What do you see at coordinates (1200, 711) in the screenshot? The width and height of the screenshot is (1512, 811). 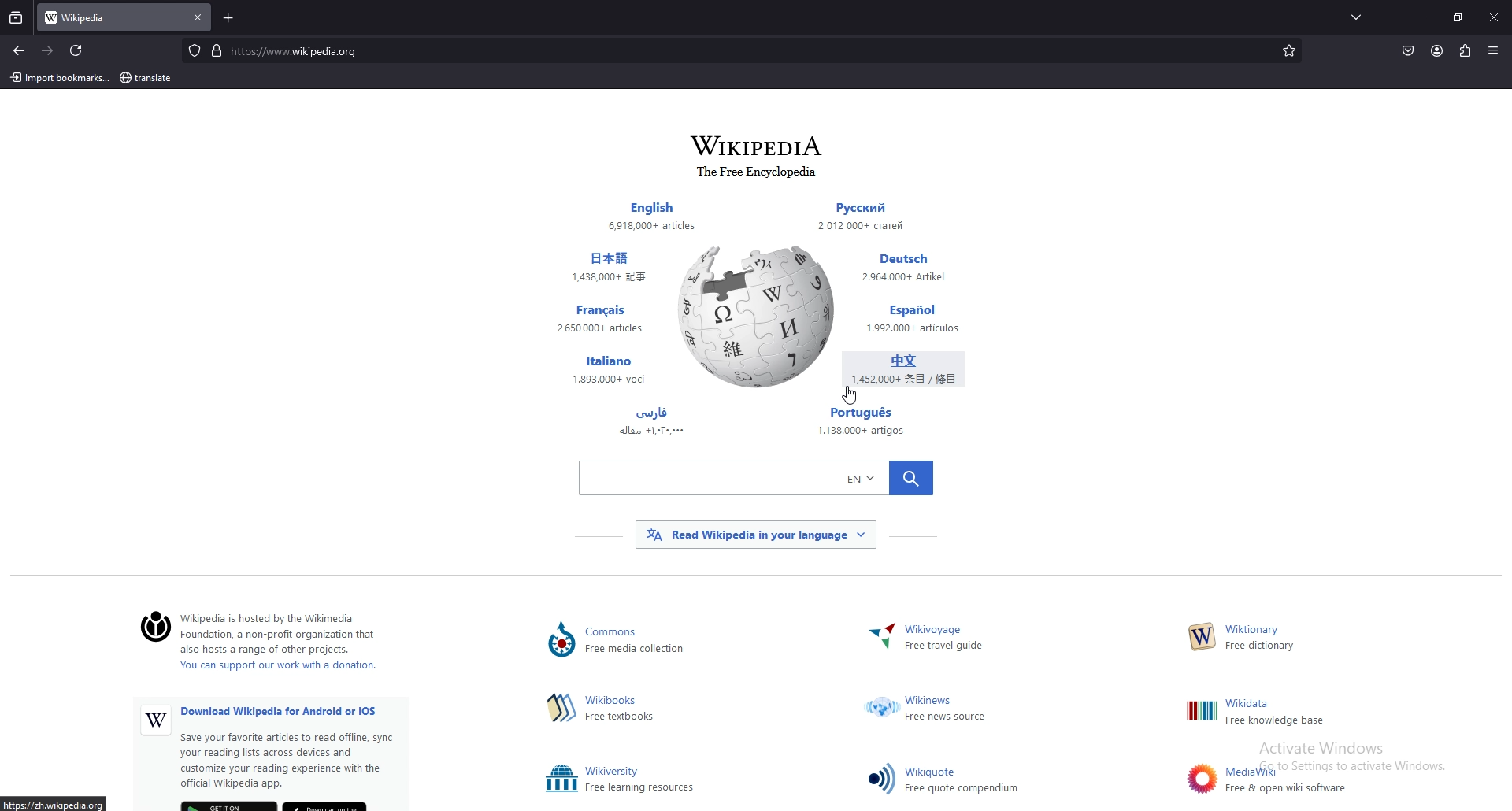 I see `` at bounding box center [1200, 711].